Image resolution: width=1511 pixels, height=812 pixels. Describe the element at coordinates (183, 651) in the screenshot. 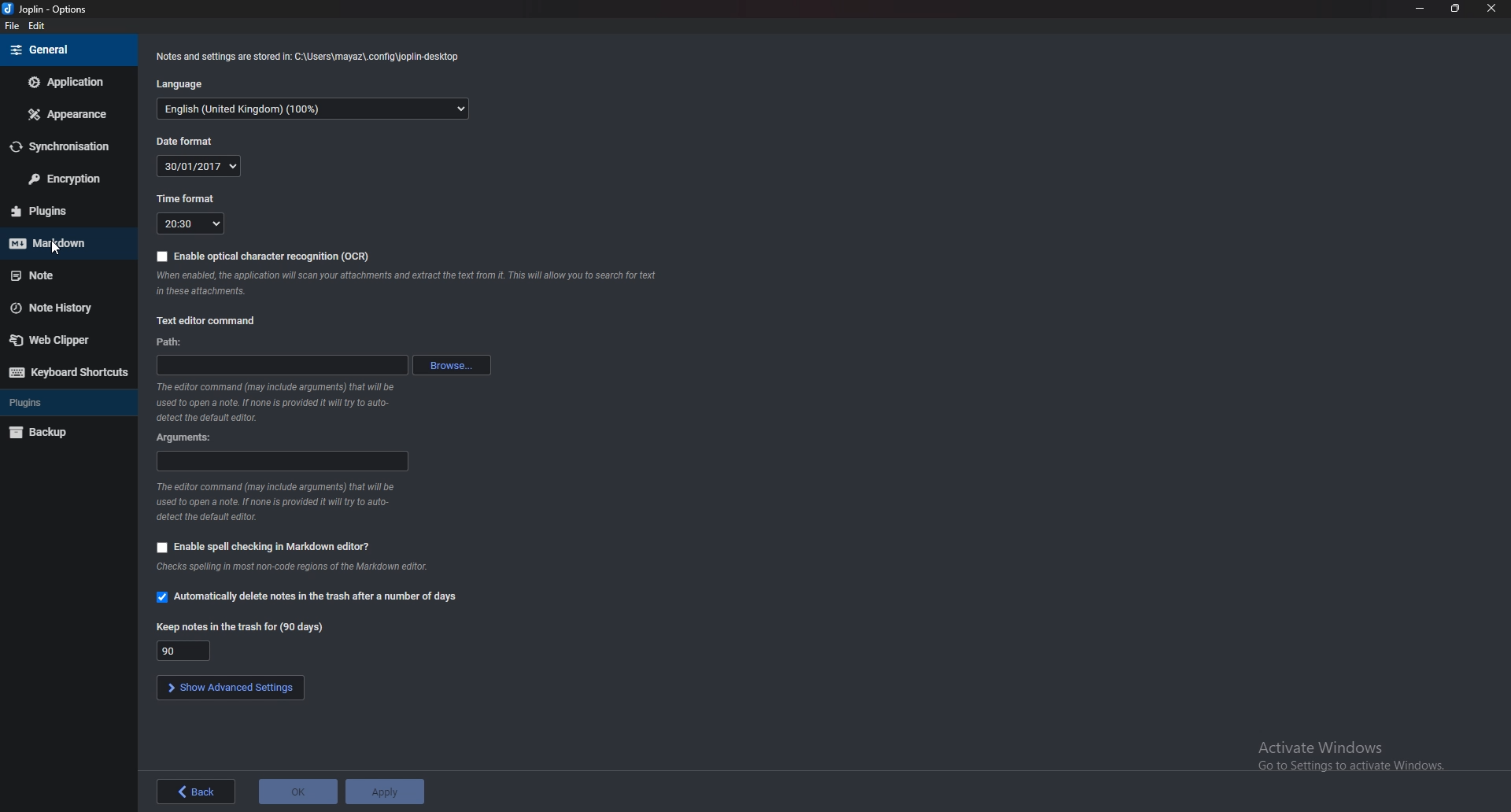

I see `Keep nose in trash for 90 days` at that location.